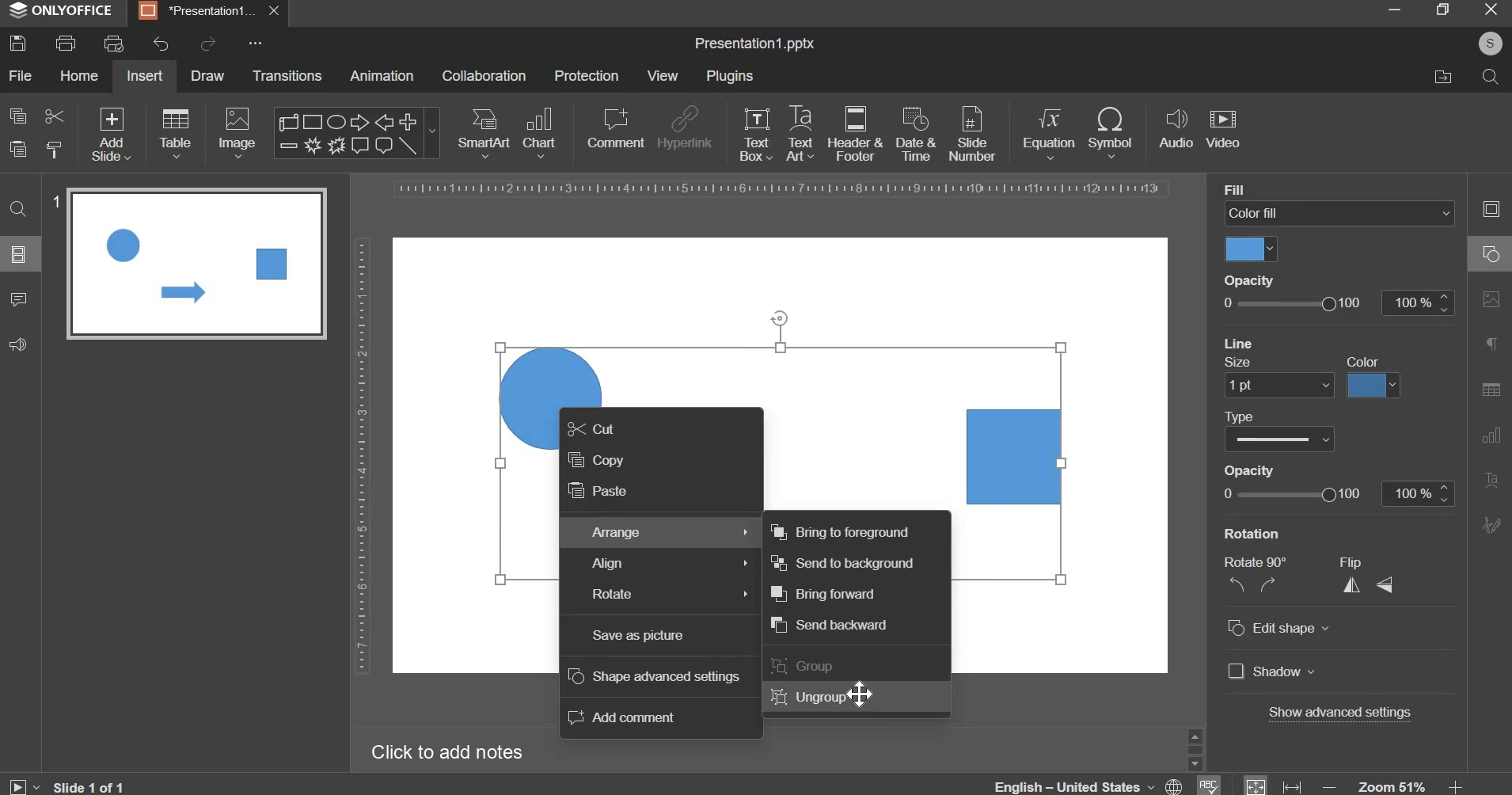 The image size is (1512, 795). Describe the element at coordinates (1360, 561) in the screenshot. I see `flip` at that location.